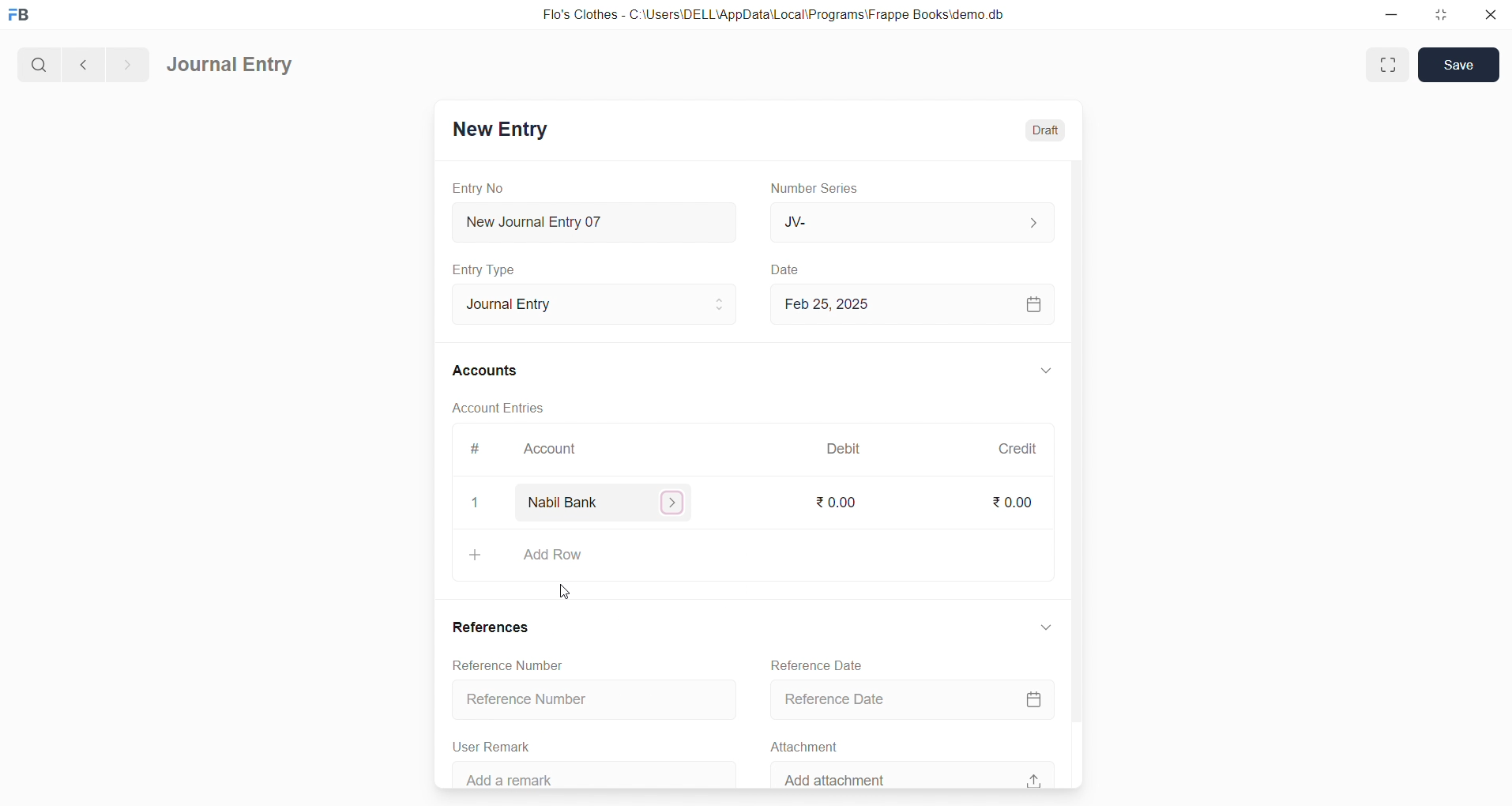  What do you see at coordinates (1390, 65) in the screenshot?
I see `maximize window` at bounding box center [1390, 65].